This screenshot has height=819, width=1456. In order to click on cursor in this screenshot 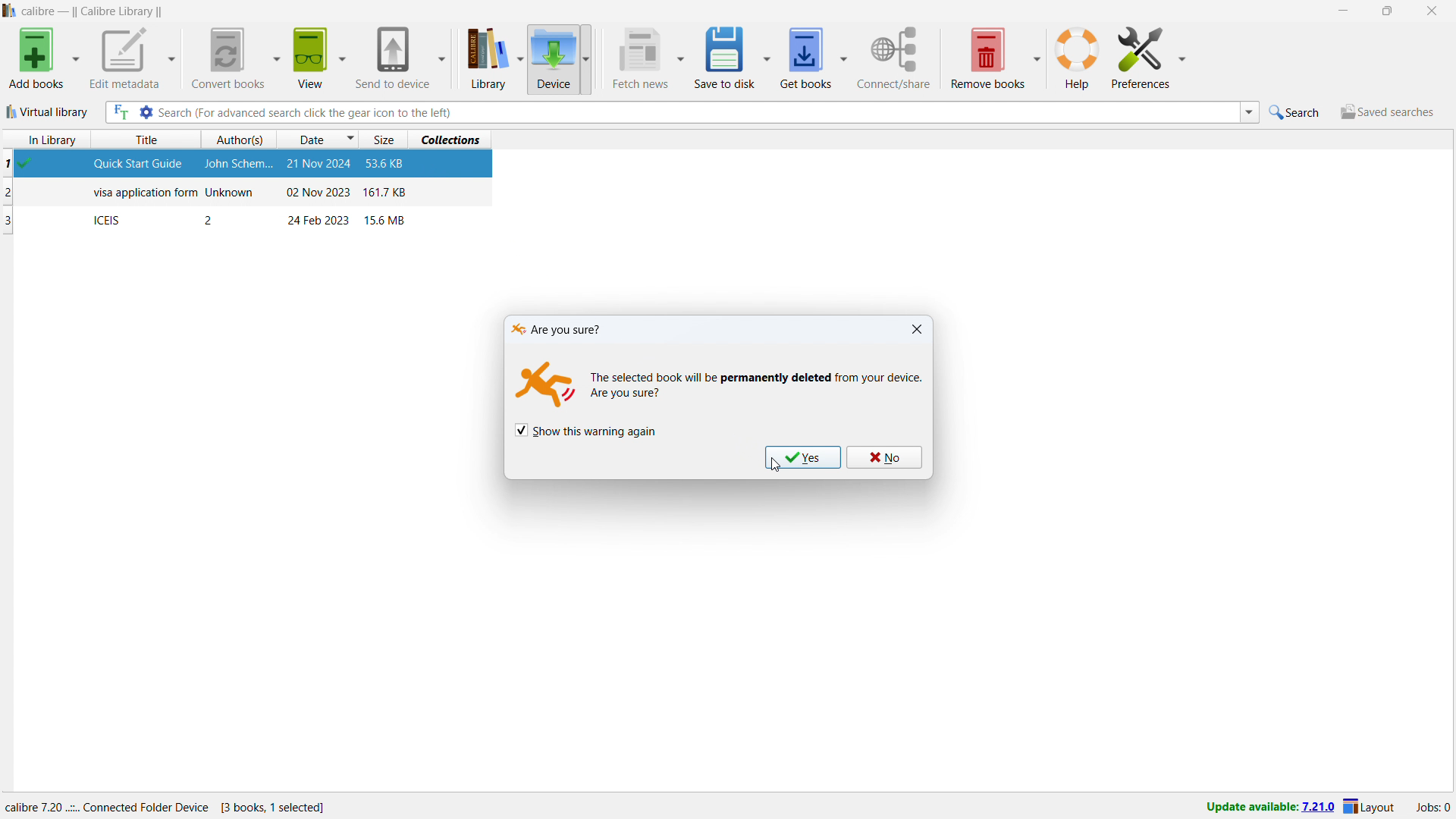, I will do `click(776, 466)`.